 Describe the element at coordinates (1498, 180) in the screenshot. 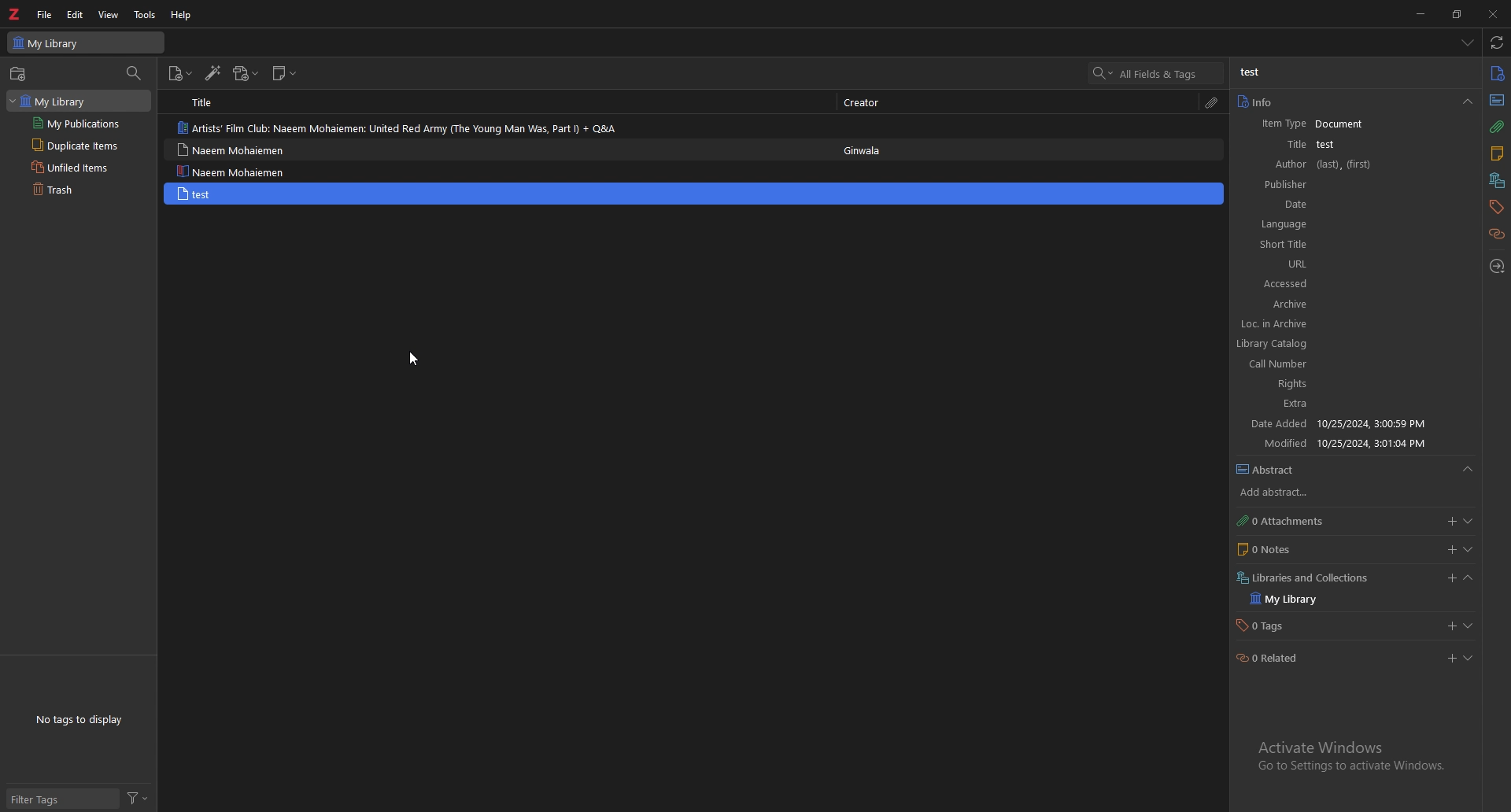

I see `libraries and collections` at that location.